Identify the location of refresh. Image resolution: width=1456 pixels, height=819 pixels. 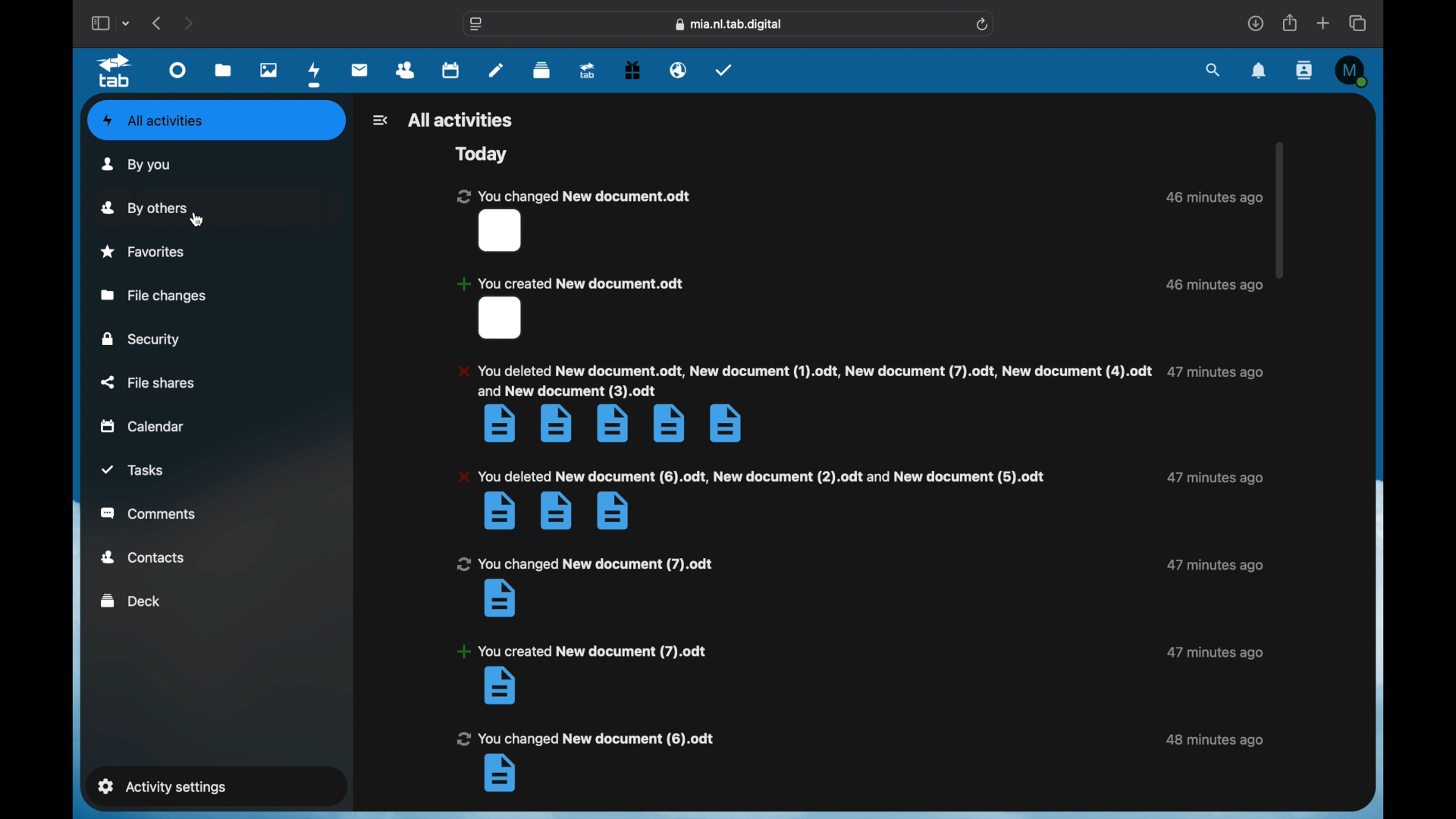
(983, 24).